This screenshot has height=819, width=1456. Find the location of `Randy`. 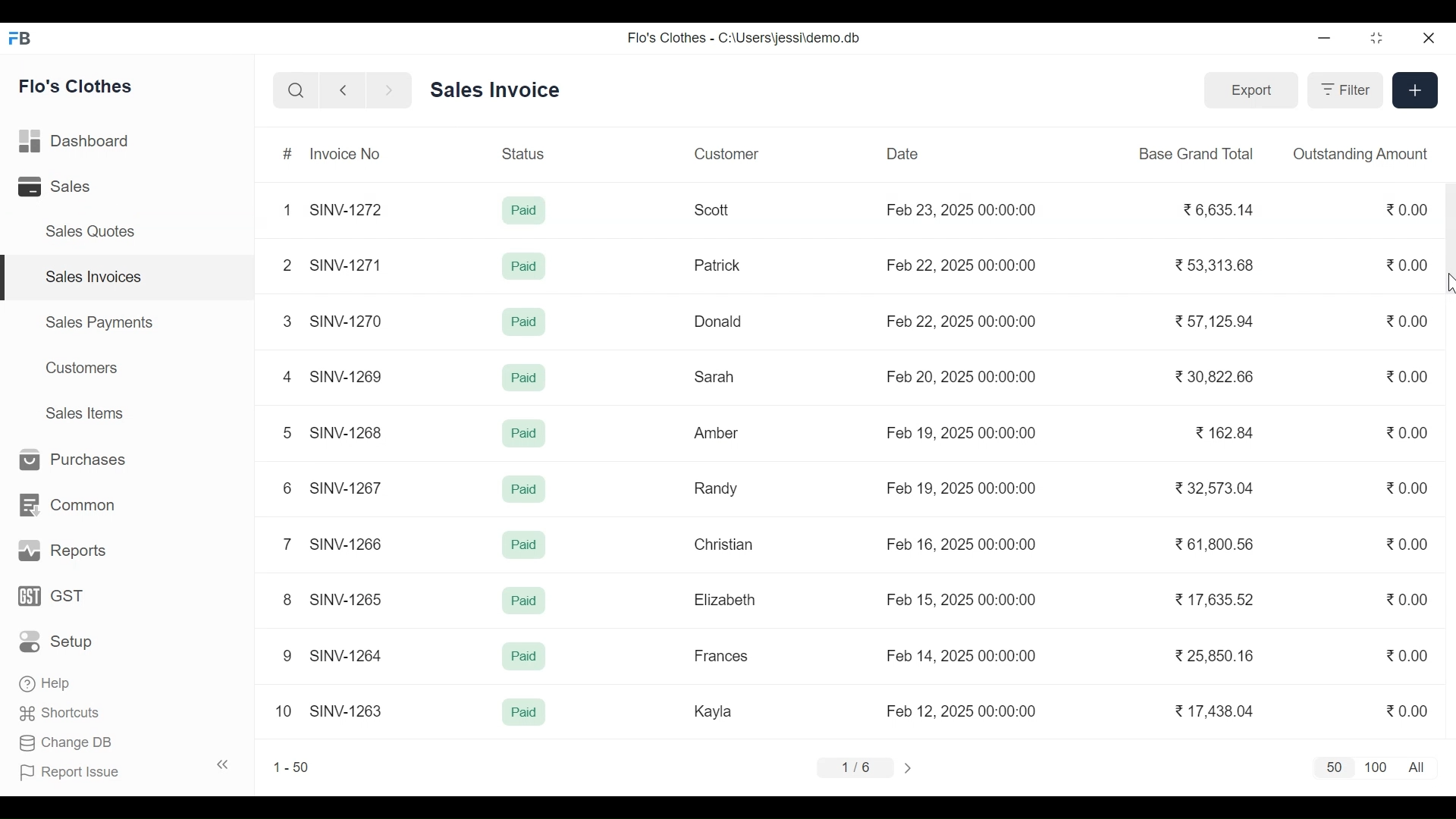

Randy is located at coordinates (716, 488).